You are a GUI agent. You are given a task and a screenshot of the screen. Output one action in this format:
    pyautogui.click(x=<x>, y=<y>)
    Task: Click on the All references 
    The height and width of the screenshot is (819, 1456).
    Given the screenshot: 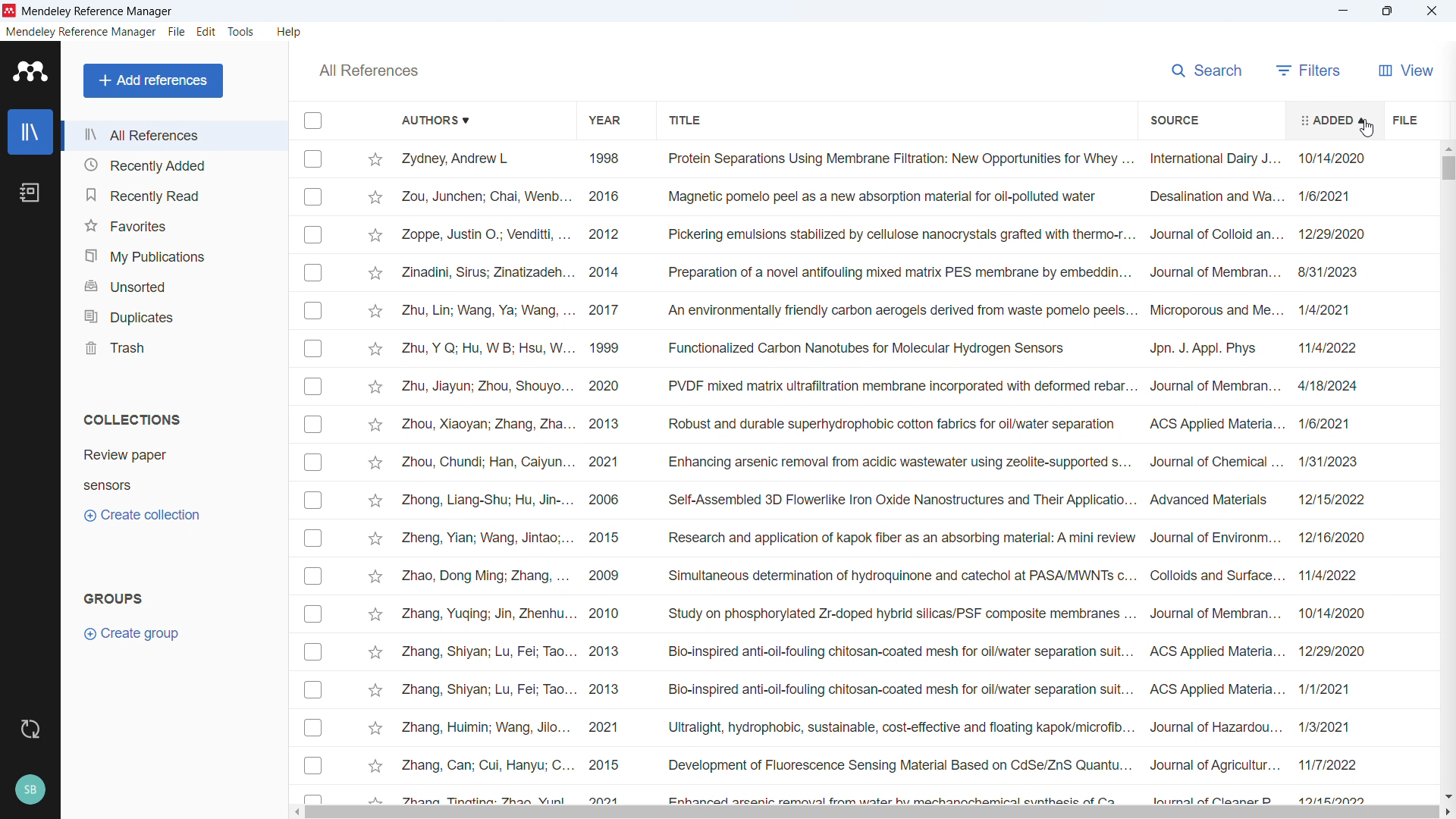 What is the action you would take?
    pyautogui.click(x=369, y=70)
    